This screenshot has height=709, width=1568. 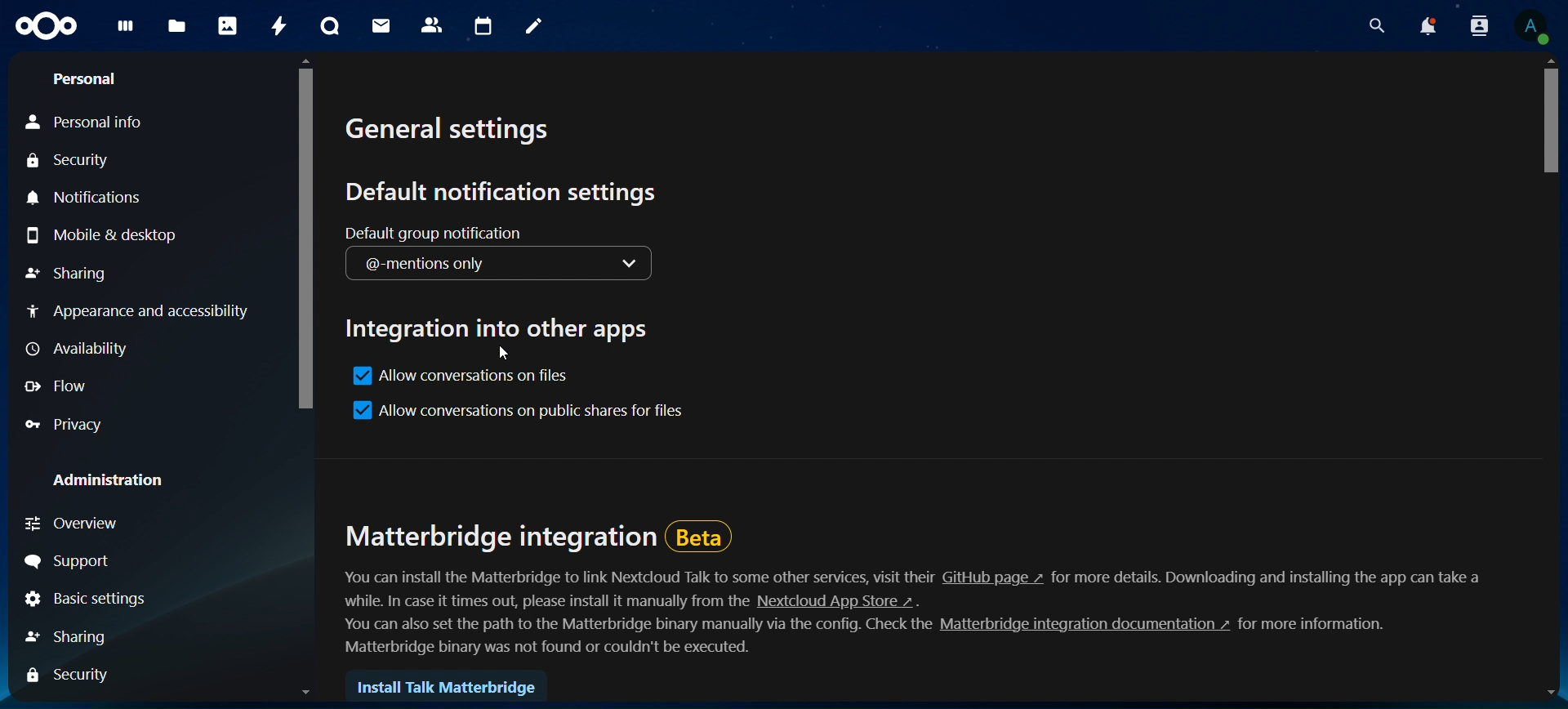 I want to click on notifications, so click(x=1420, y=25).